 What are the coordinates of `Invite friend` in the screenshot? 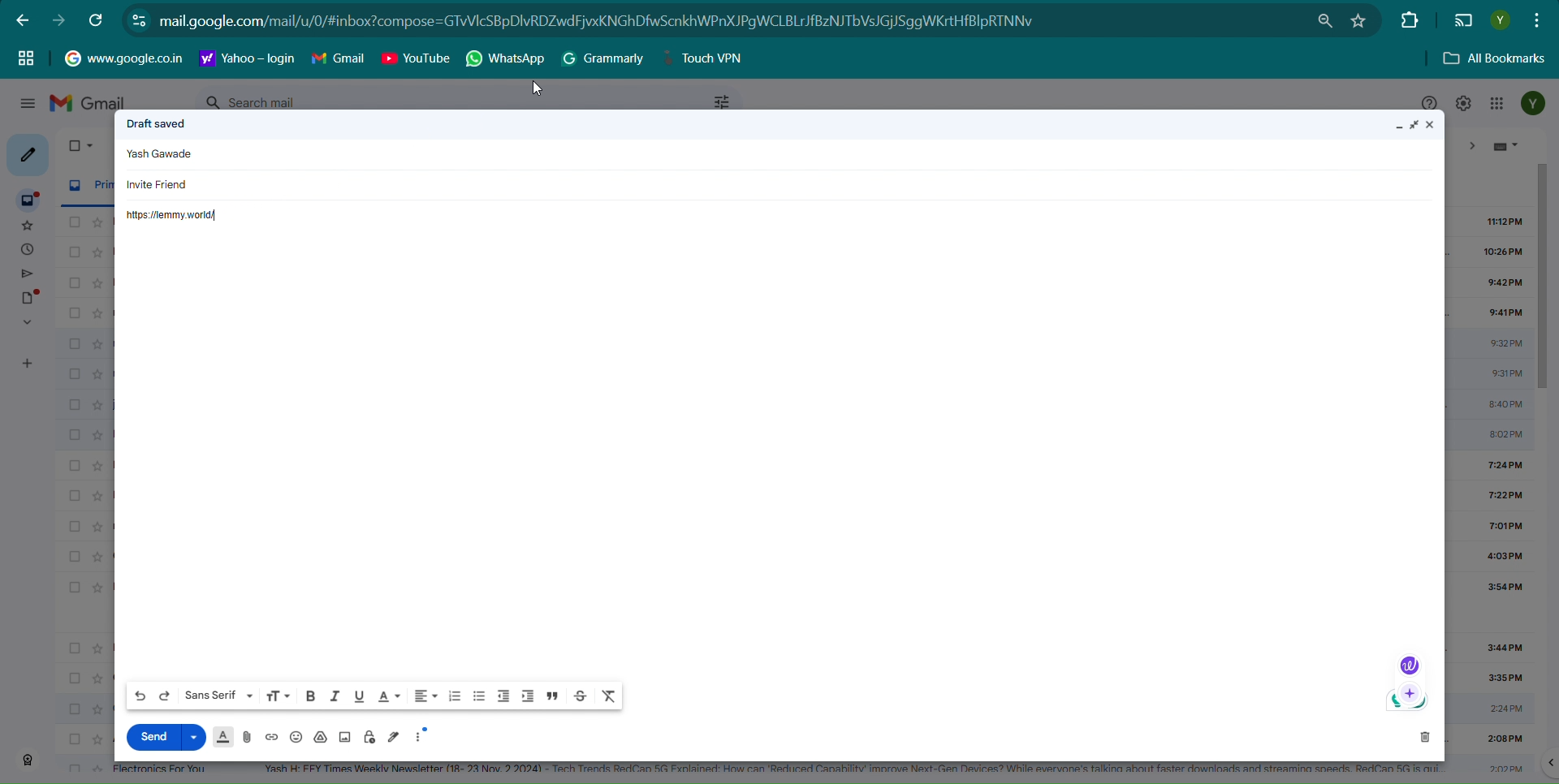 It's located at (159, 183).